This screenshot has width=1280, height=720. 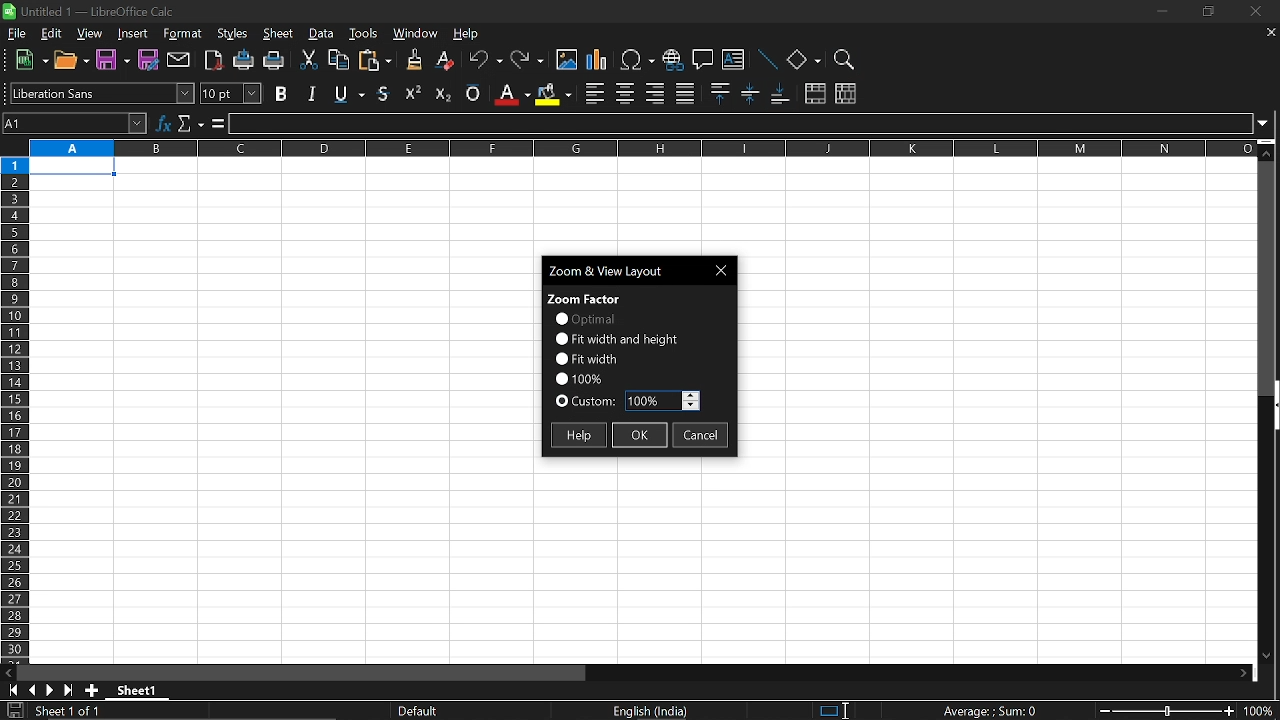 I want to click on print directly, so click(x=244, y=62).